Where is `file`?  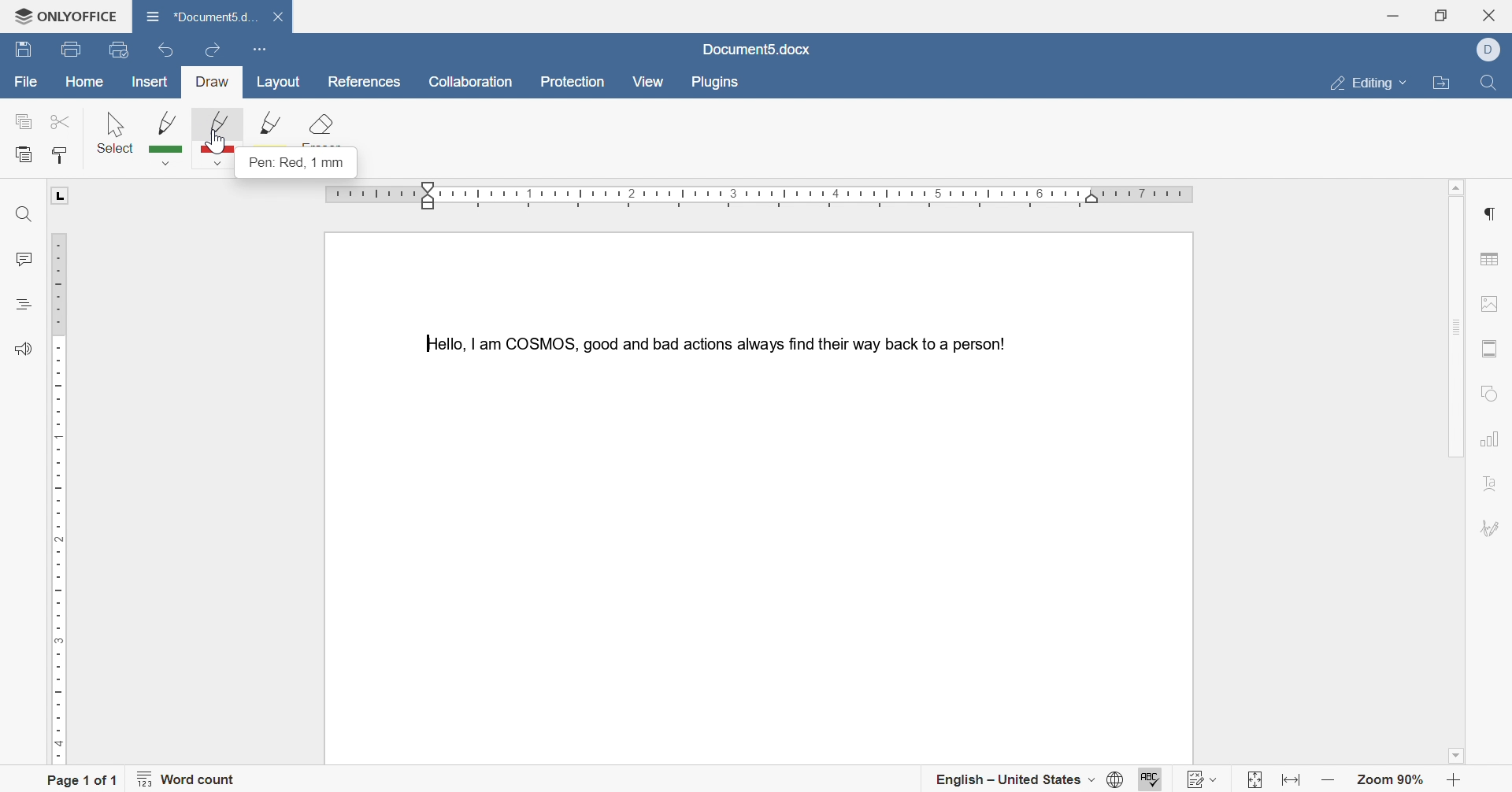
file is located at coordinates (26, 83).